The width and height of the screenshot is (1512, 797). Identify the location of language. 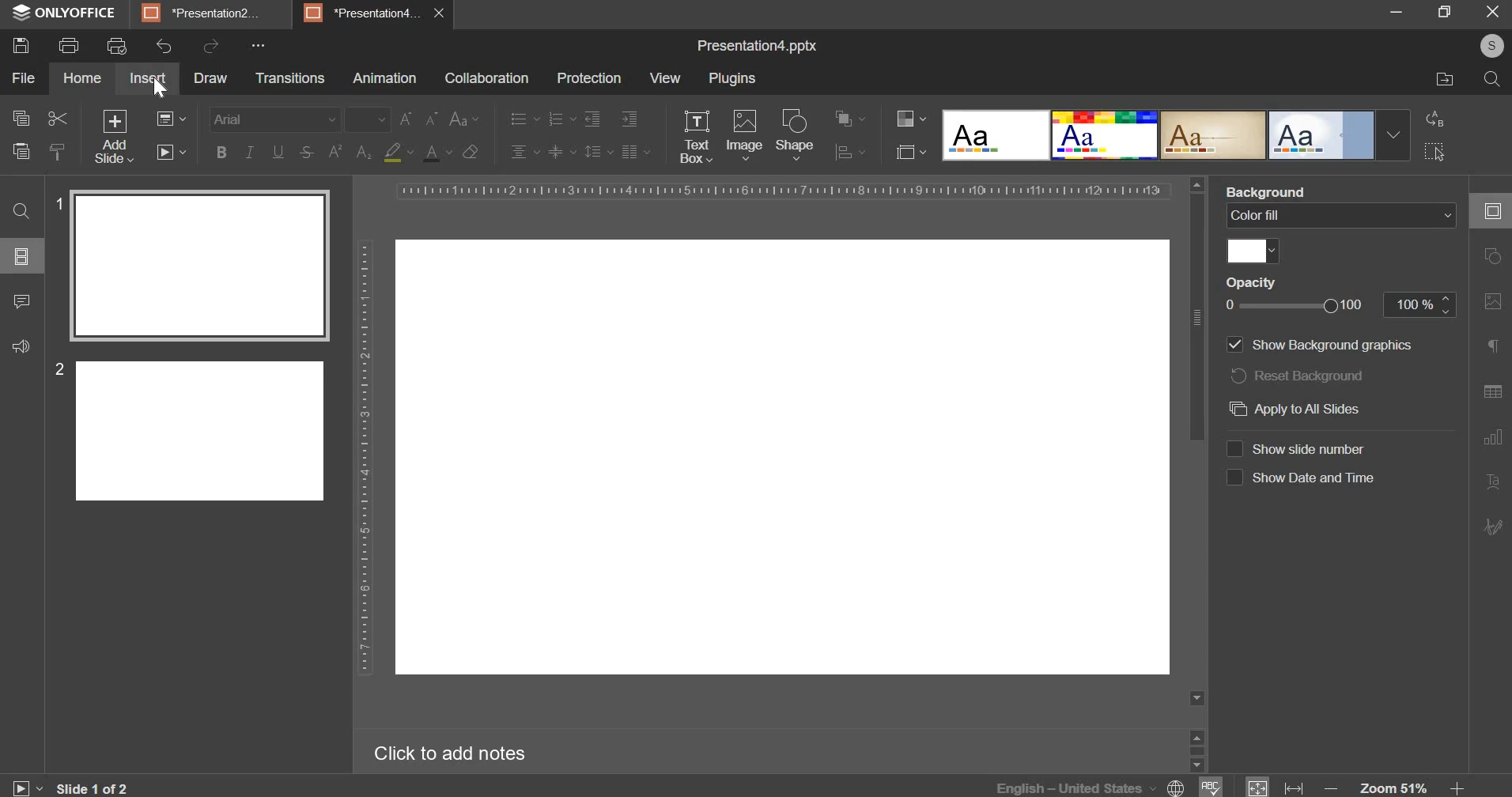
(1091, 784).